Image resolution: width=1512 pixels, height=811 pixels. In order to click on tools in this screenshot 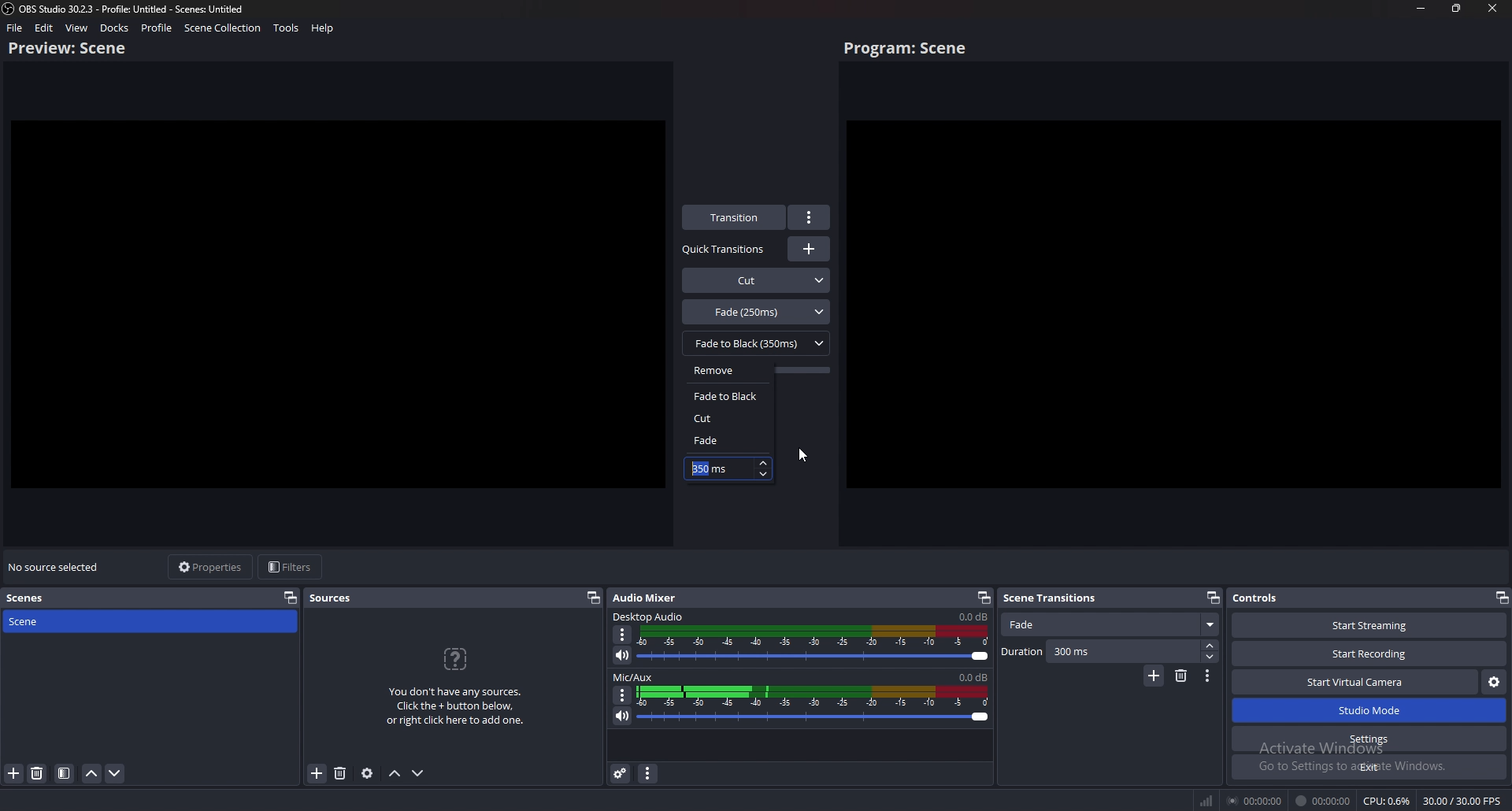, I will do `click(286, 28)`.